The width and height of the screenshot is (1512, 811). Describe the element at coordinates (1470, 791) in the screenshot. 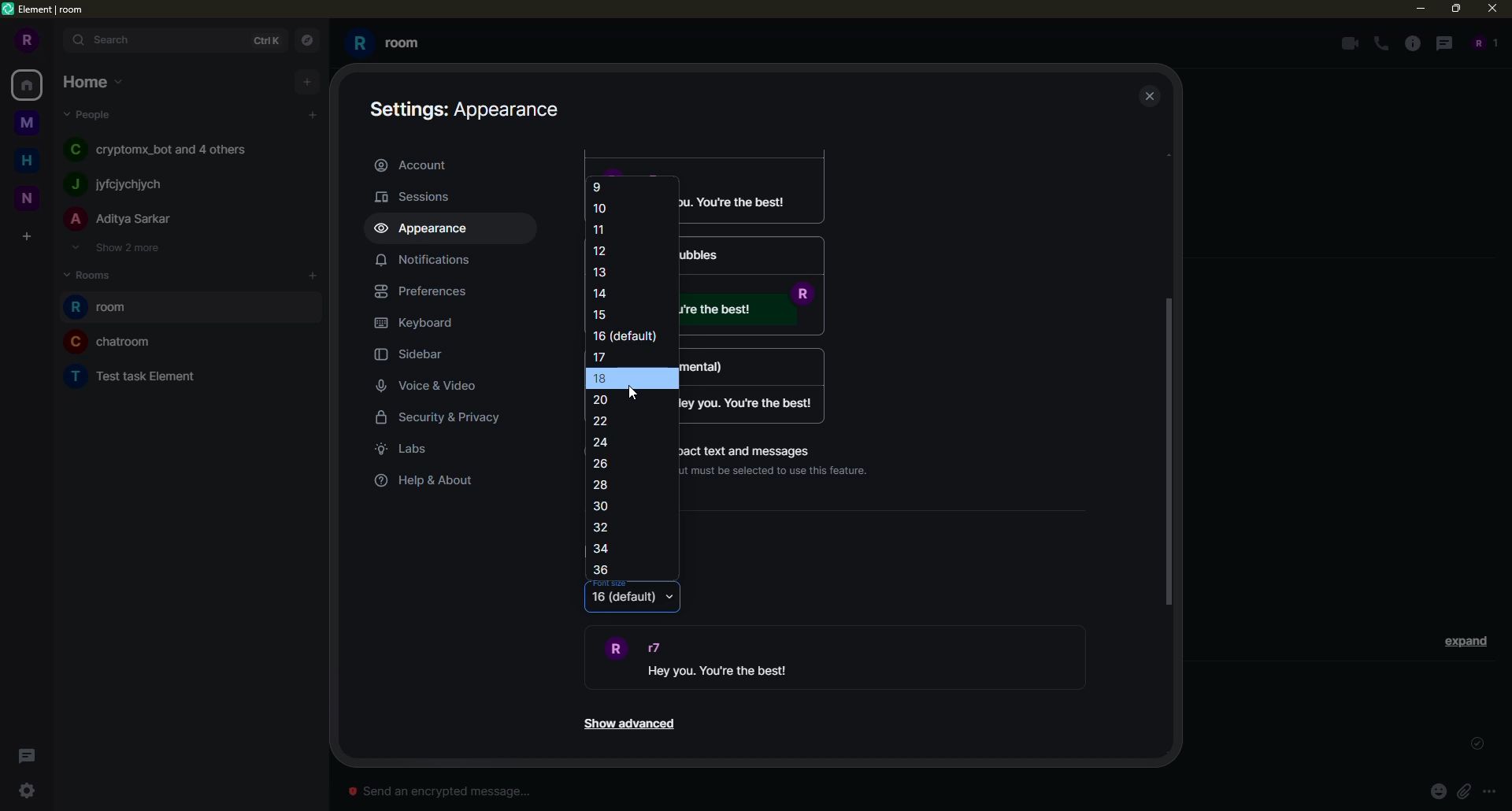

I see `pin` at that location.